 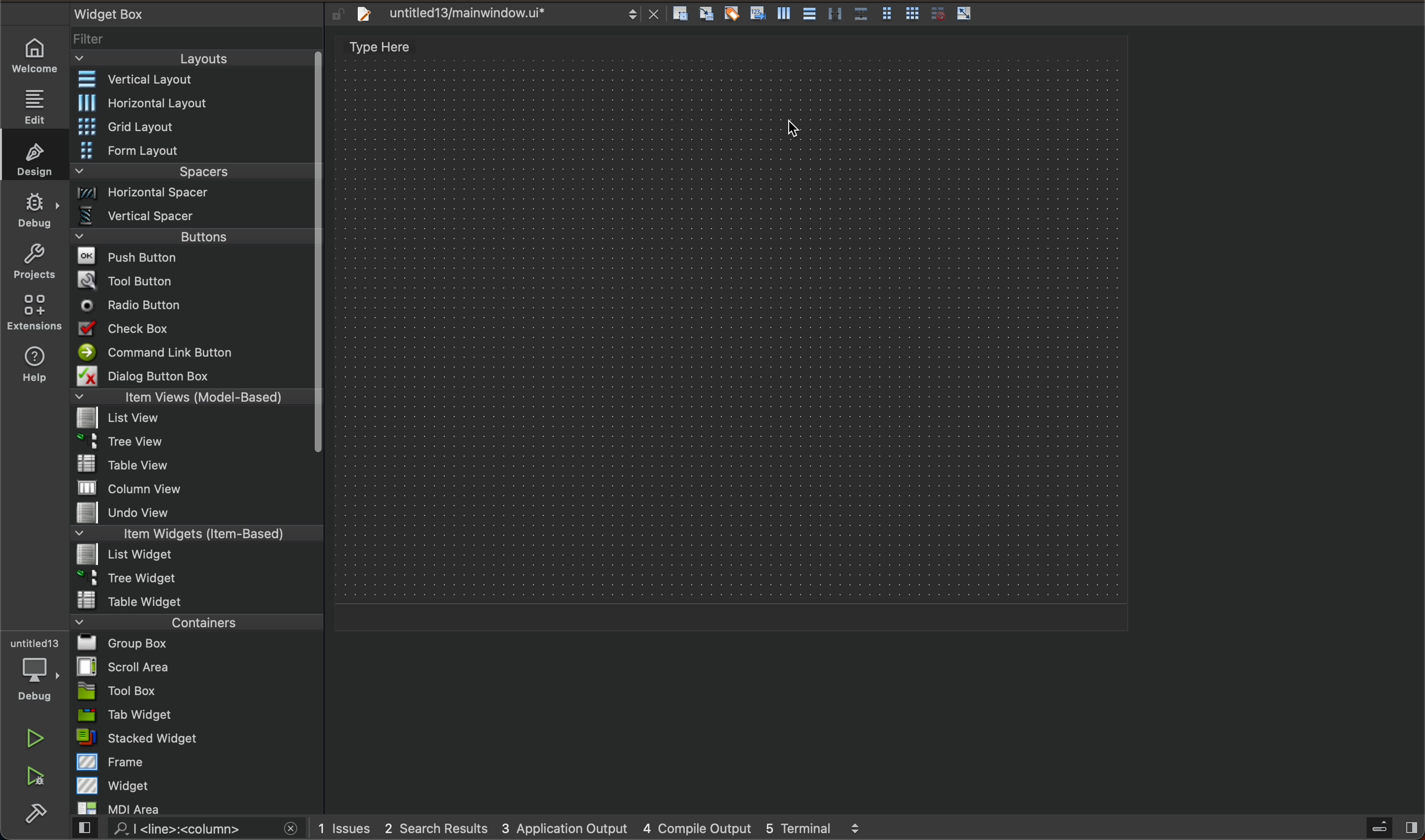 I want to click on grid layout, so click(x=198, y=126).